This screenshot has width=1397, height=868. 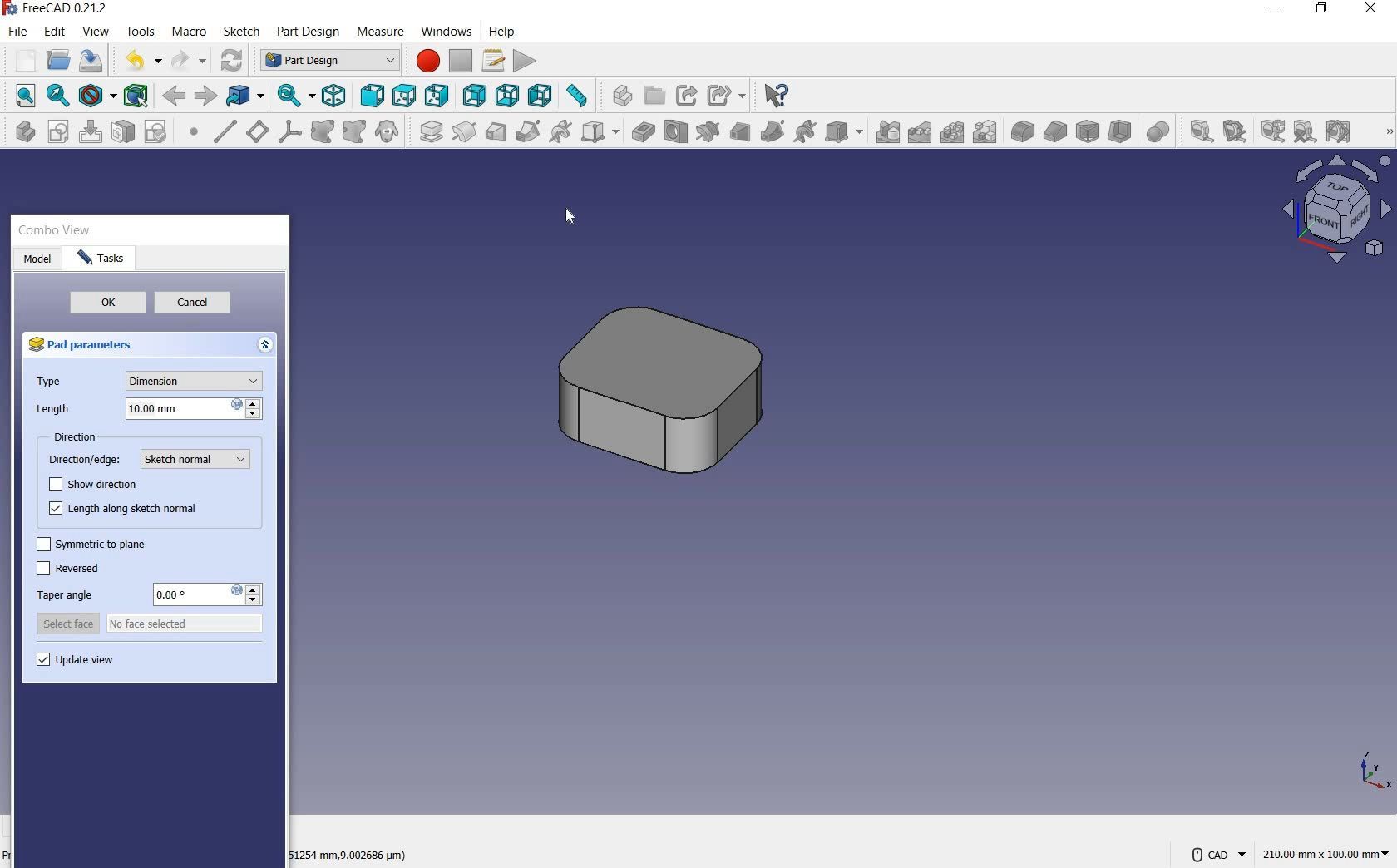 What do you see at coordinates (954, 134) in the screenshot?
I see `polar pattern` at bounding box center [954, 134].